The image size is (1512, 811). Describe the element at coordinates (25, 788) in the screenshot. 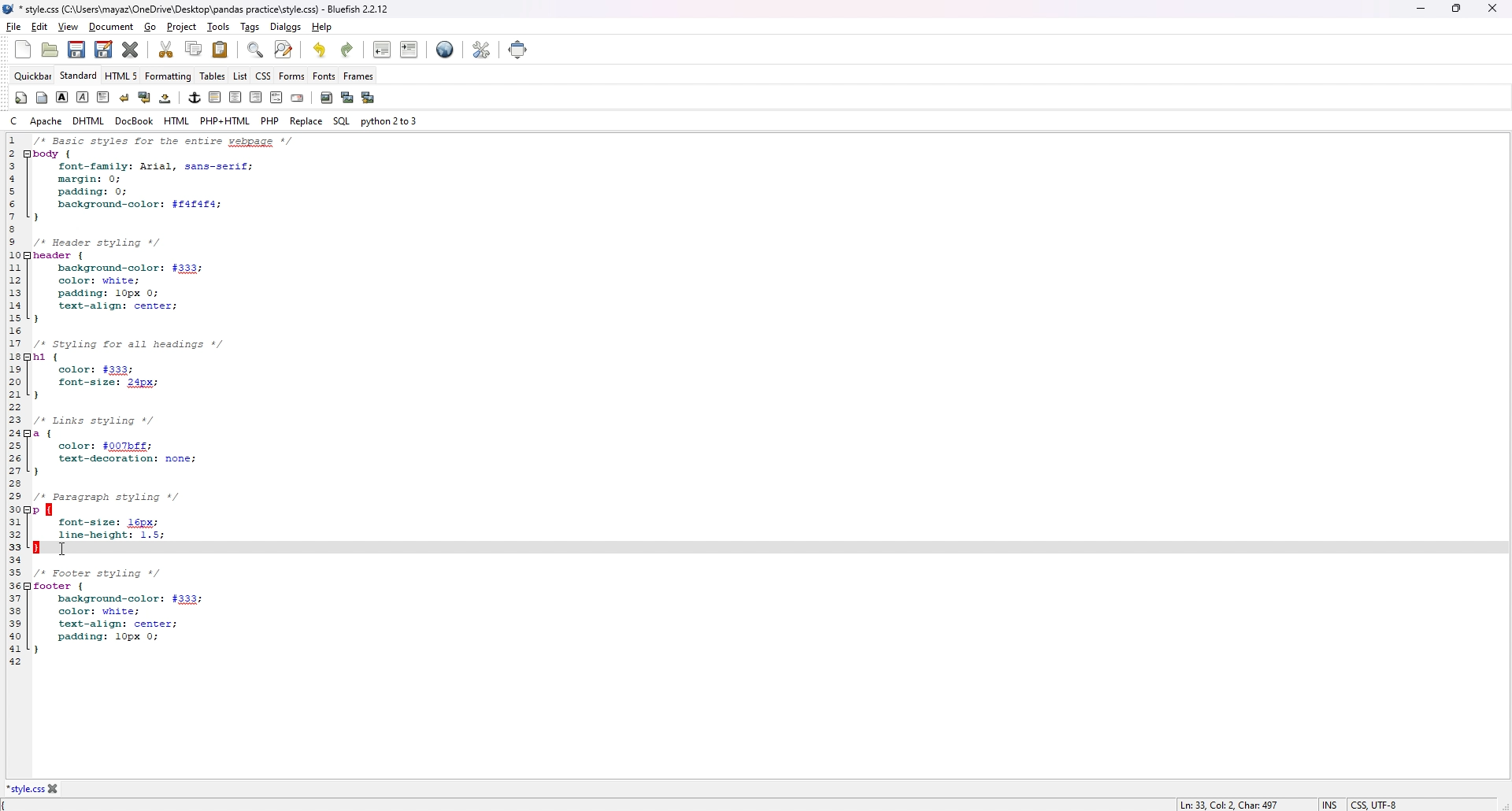

I see `*style.css` at that location.